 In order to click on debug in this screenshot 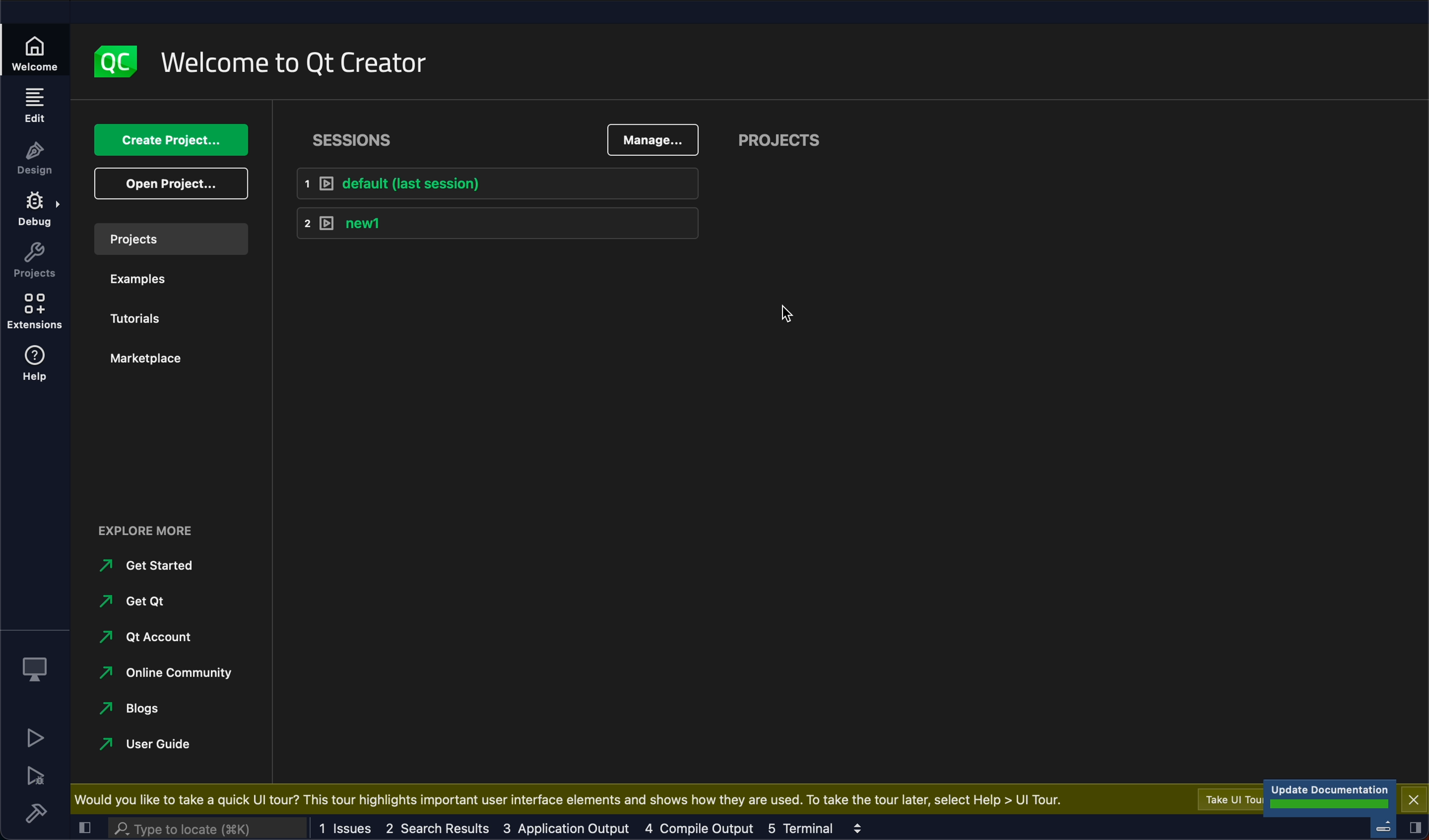, I will do `click(36, 211)`.